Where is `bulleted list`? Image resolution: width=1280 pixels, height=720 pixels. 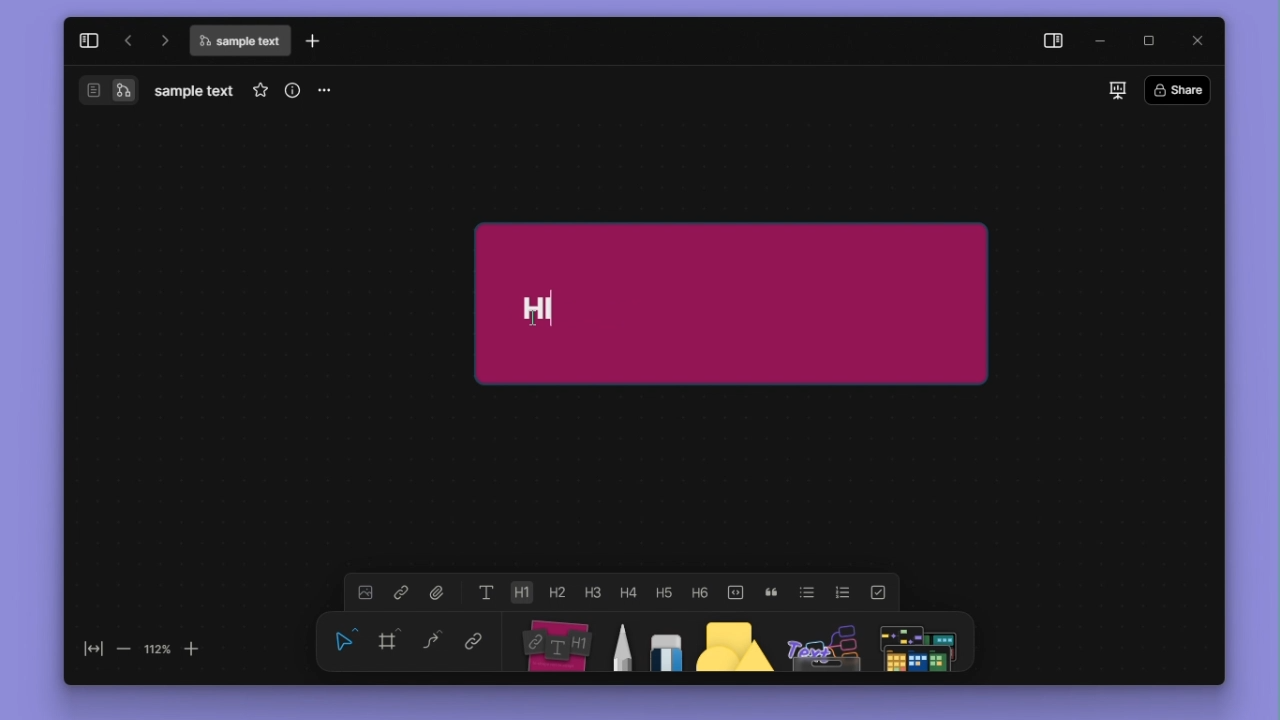
bulleted list is located at coordinates (807, 592).